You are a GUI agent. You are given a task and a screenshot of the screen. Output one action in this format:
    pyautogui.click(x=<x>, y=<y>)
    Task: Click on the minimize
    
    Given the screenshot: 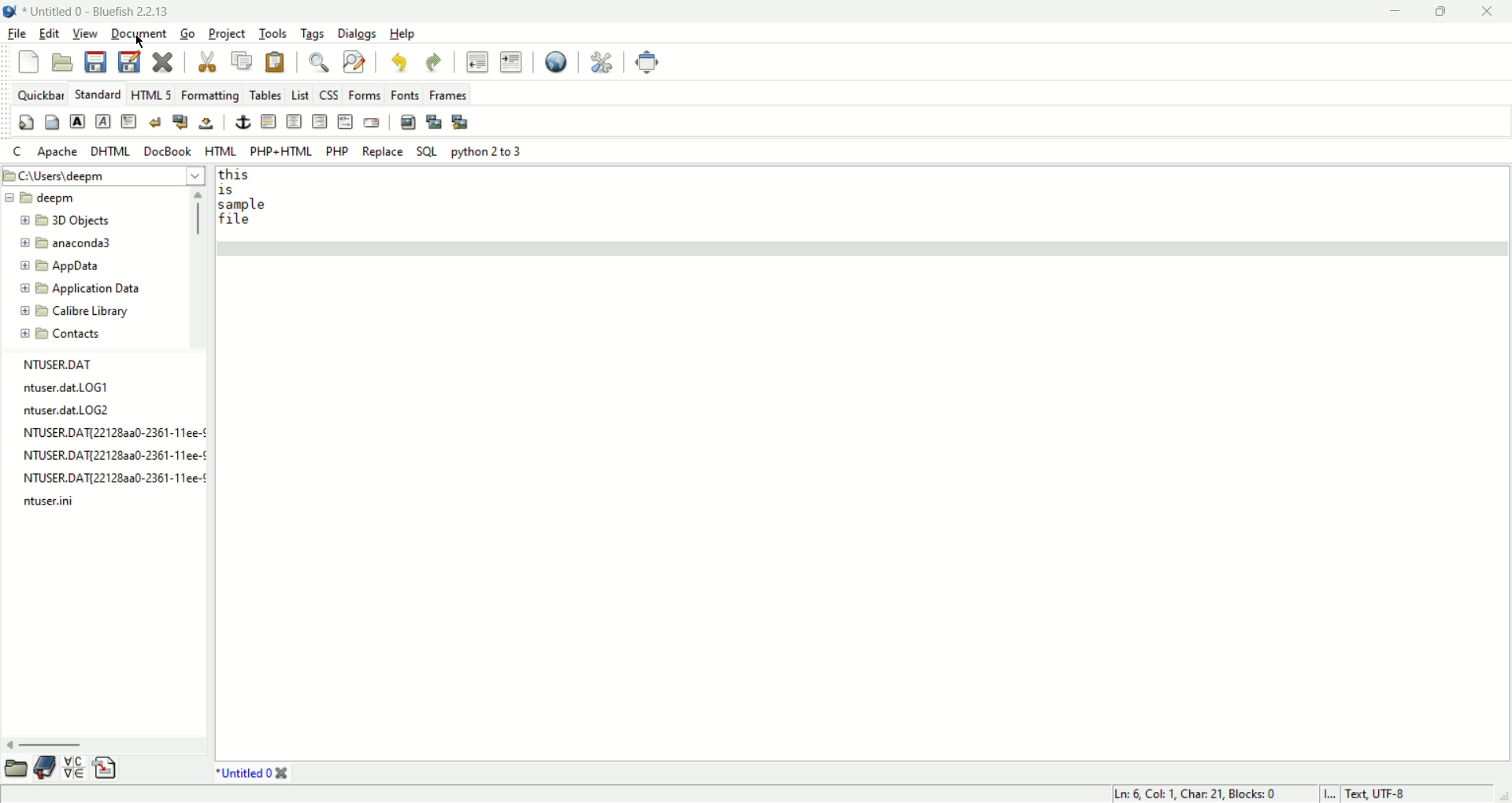 What is the action you would take?
    pyautogui.click(x=1396, y=11)
    